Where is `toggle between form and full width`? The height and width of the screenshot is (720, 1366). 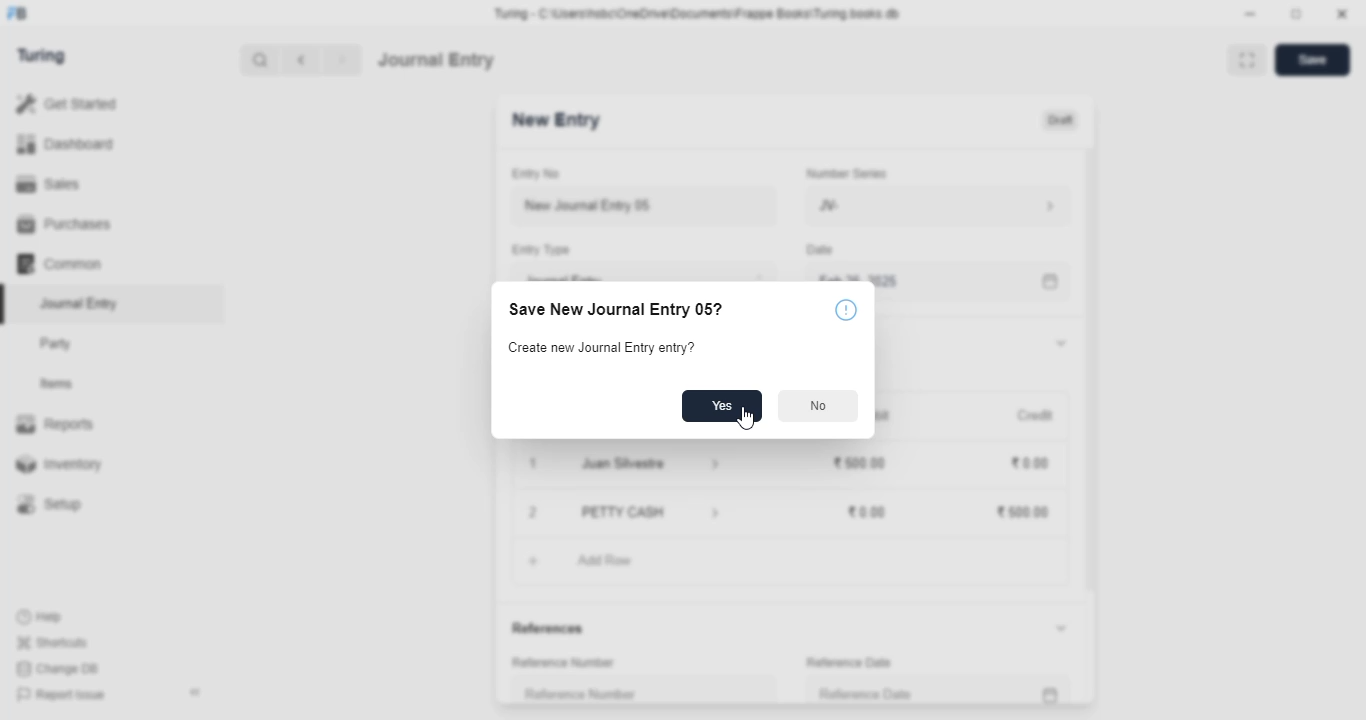 toggle between form and full width is located at coordinates (1246, 60).